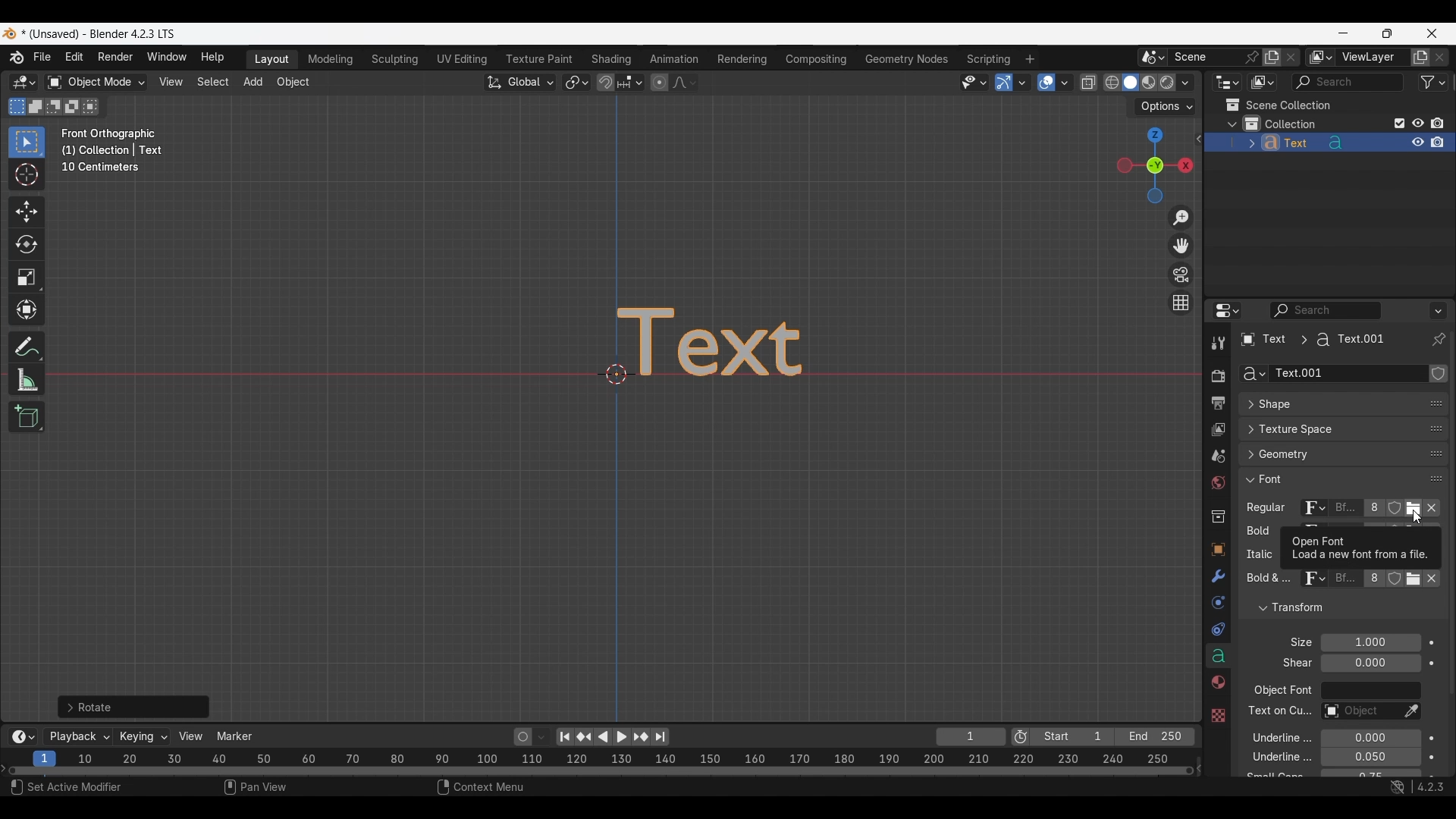 This screenshot has height=819, width=1456. Describe the element at coordinates (1372, 643) in the screenshot. I see `Font size` at that location.